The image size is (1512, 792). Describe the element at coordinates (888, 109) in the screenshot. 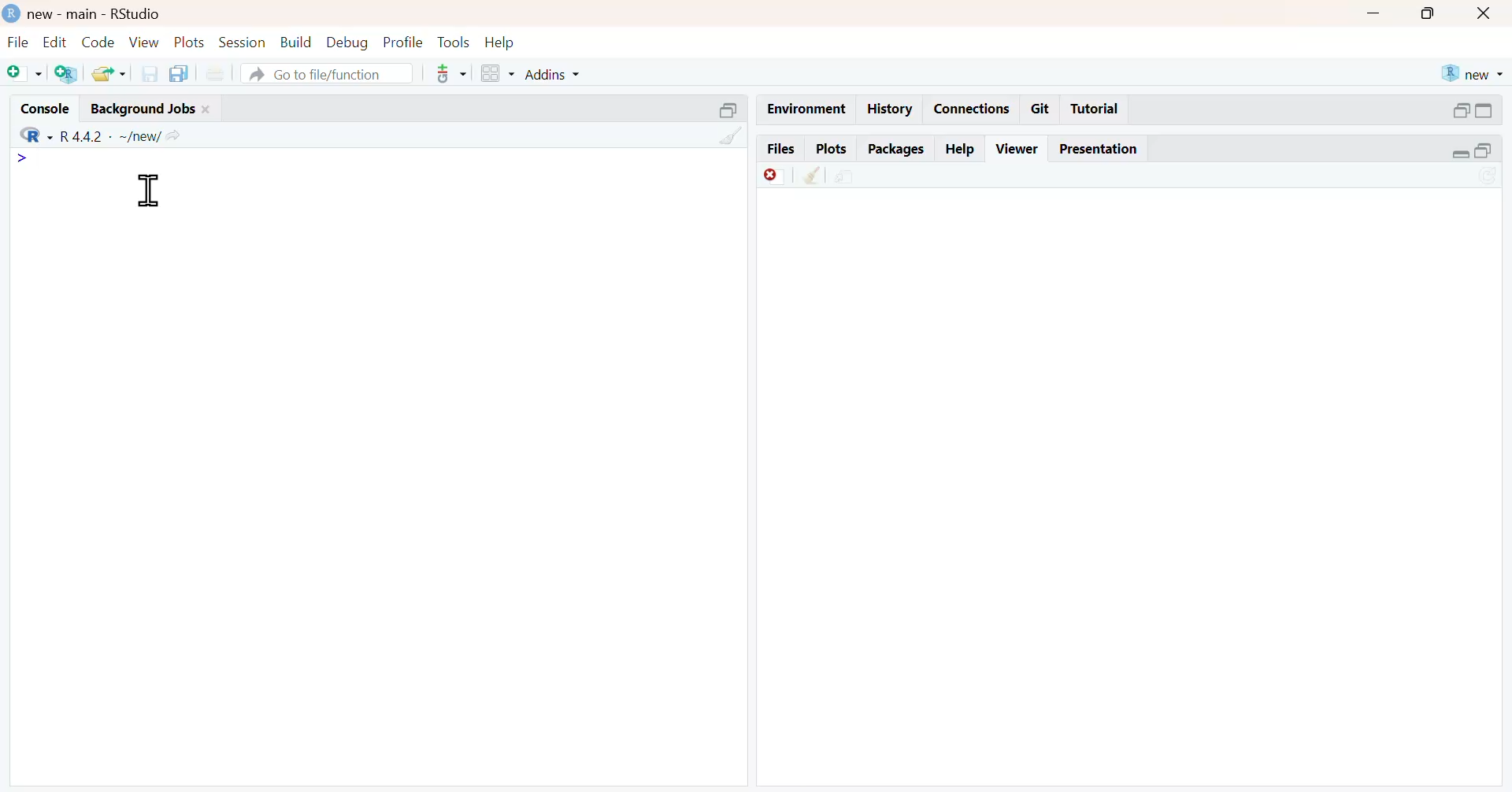

I see `history` at that location.